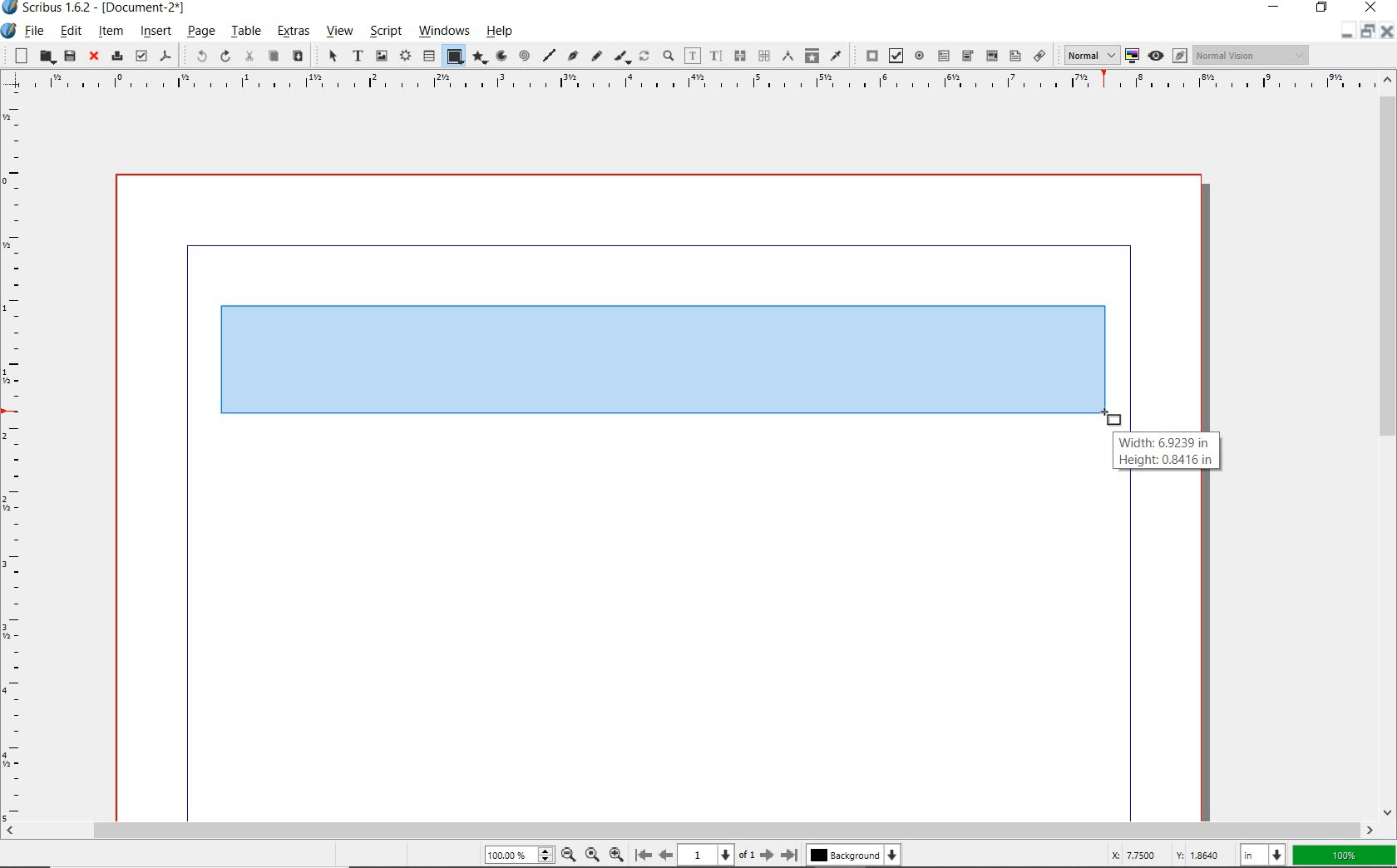 This screenshot has width=1397, height=868. I want to click on copy, so click(273, 57).